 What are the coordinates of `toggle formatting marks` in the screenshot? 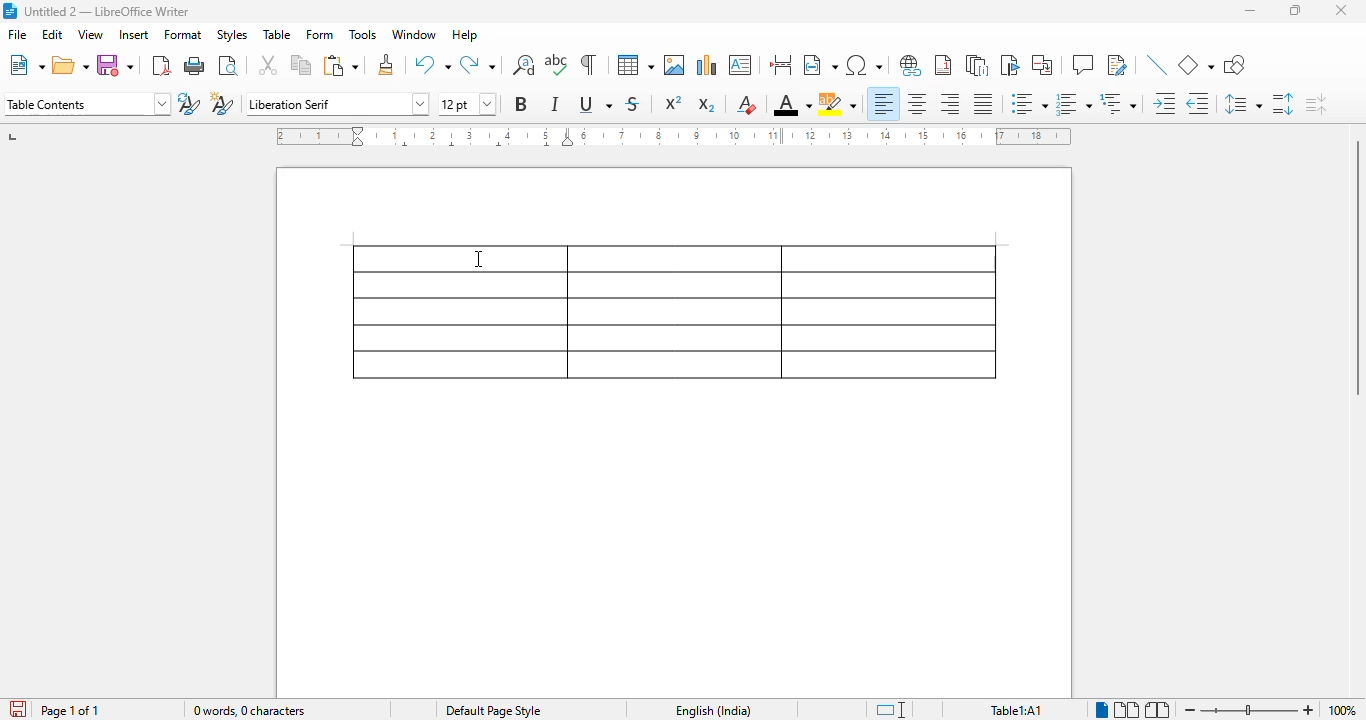 It's located at (589, 65).